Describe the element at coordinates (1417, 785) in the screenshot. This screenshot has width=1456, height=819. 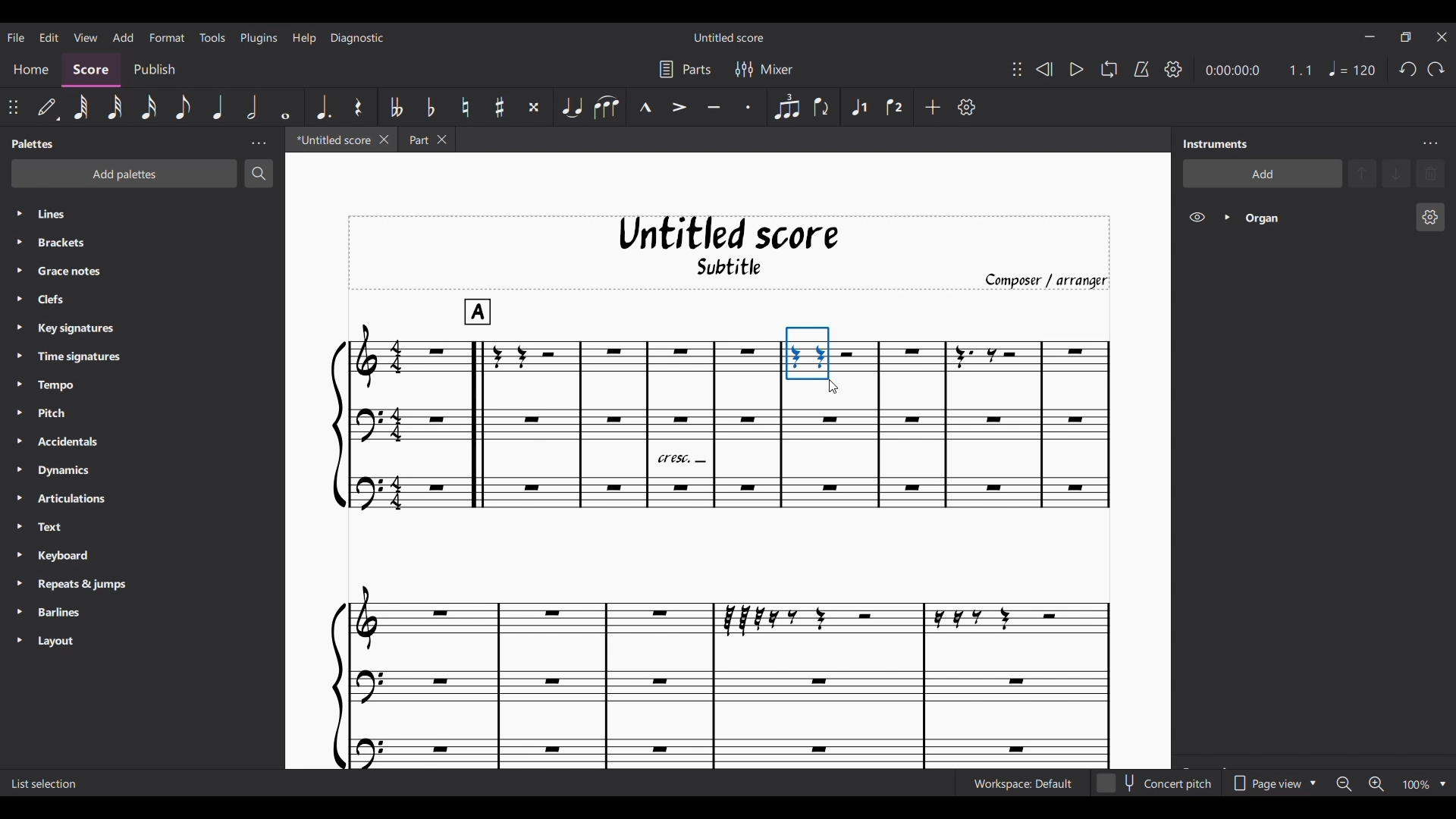
I see `Current zoom factor` at that location.